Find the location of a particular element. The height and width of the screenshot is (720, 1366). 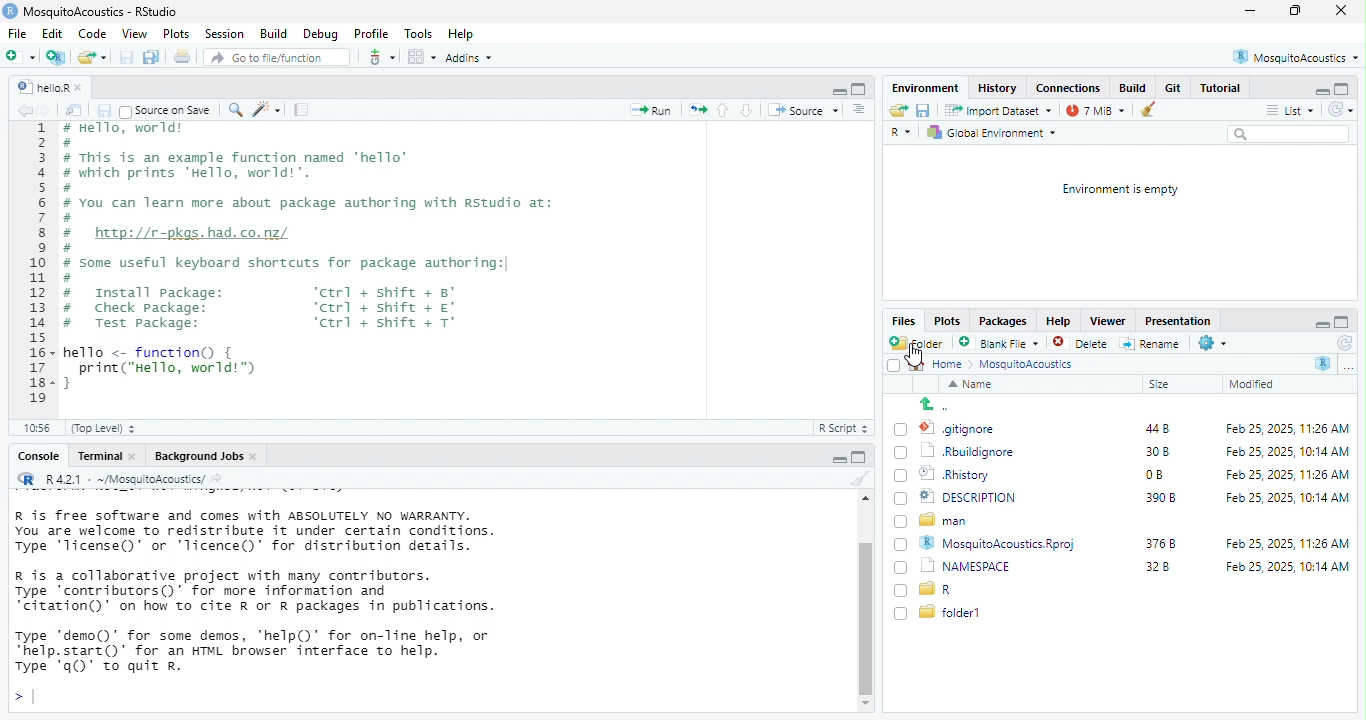

build is located at coordinates (1133, 88).